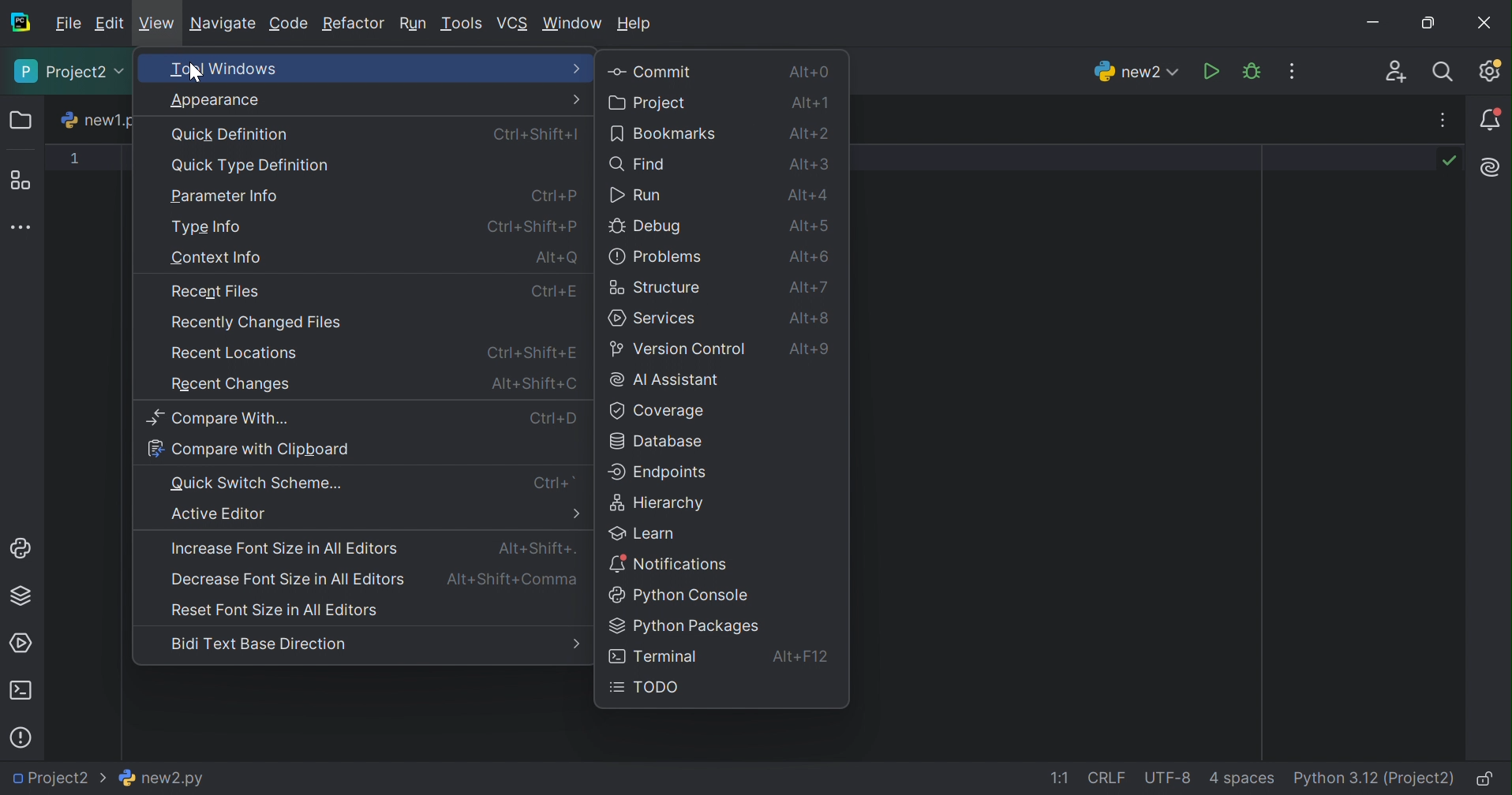 This screenshot has width=1512, height=795. What do you see at coordinates (511, 21) in the screenshot?
I see `VCS` at bounding box center [511, 21].